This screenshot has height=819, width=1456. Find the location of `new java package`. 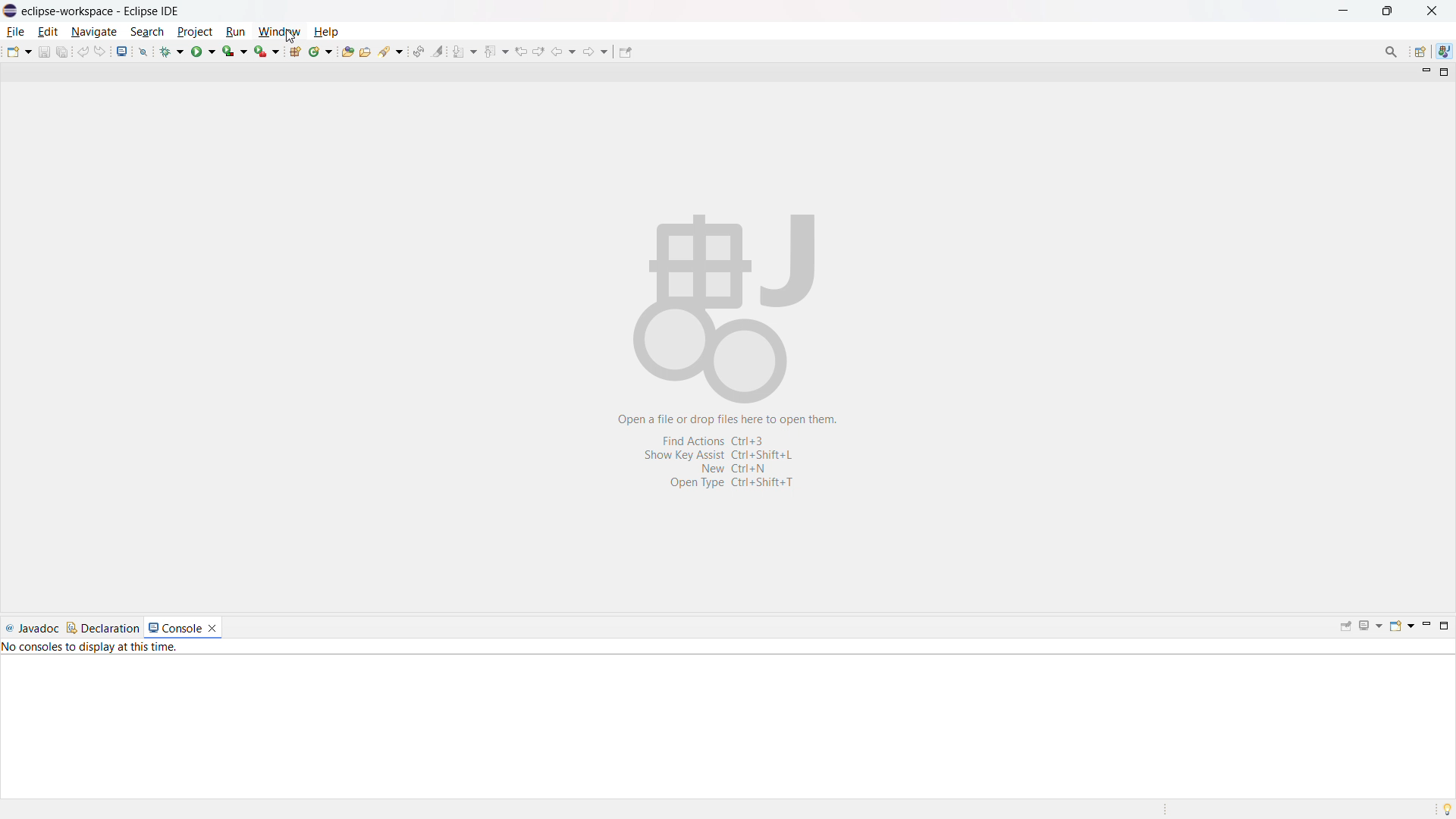

new java package is located at coordinates (295, 51).